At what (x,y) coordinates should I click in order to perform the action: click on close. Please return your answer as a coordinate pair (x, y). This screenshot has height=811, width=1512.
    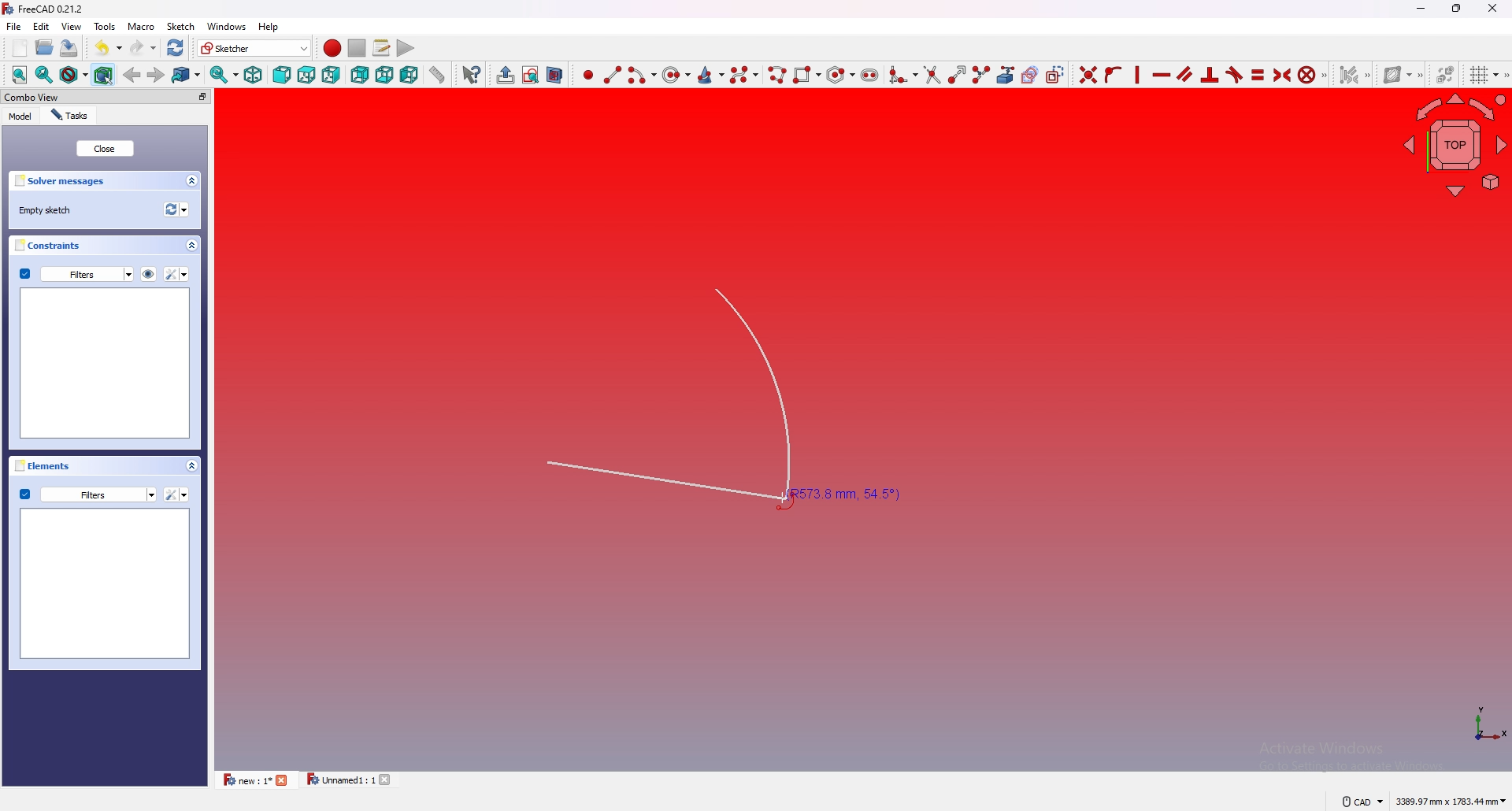
    Looking at the image, I should click on (388, 780).